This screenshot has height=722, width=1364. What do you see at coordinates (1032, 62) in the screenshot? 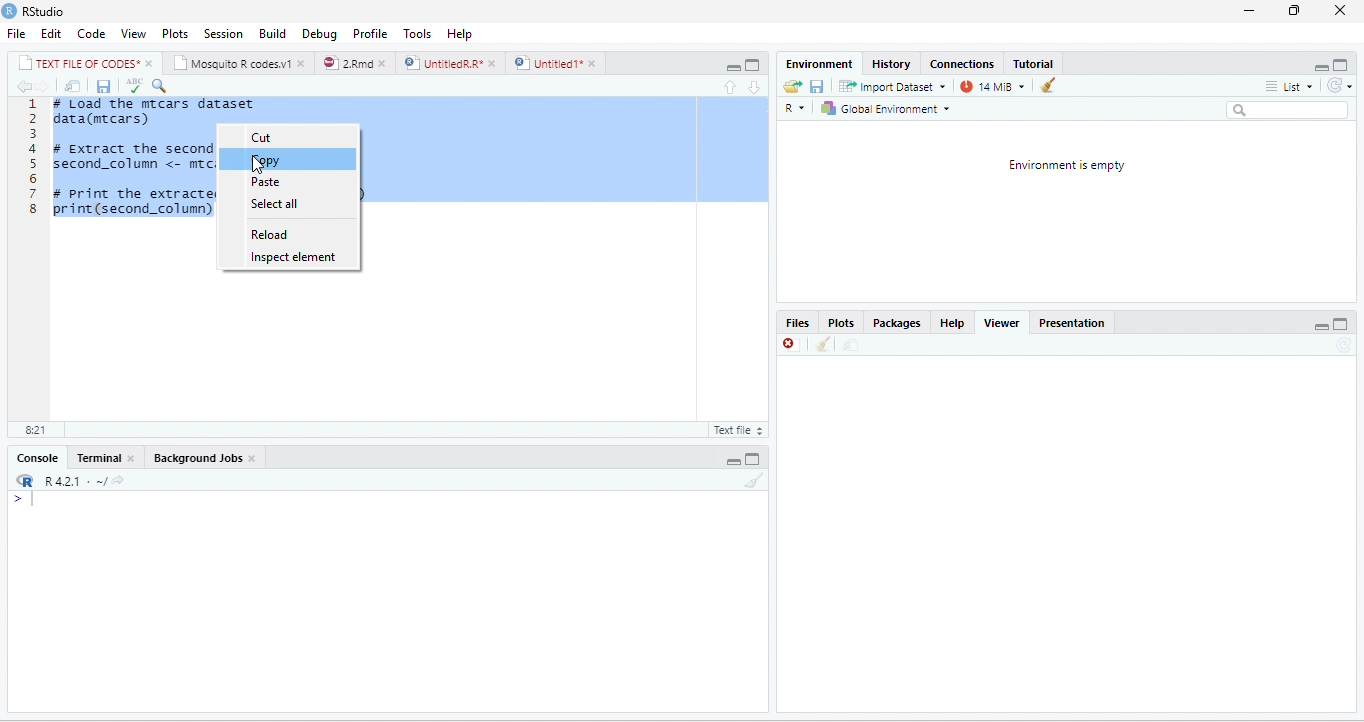
I see `Tutorial` at bounding box center [1032, 62].